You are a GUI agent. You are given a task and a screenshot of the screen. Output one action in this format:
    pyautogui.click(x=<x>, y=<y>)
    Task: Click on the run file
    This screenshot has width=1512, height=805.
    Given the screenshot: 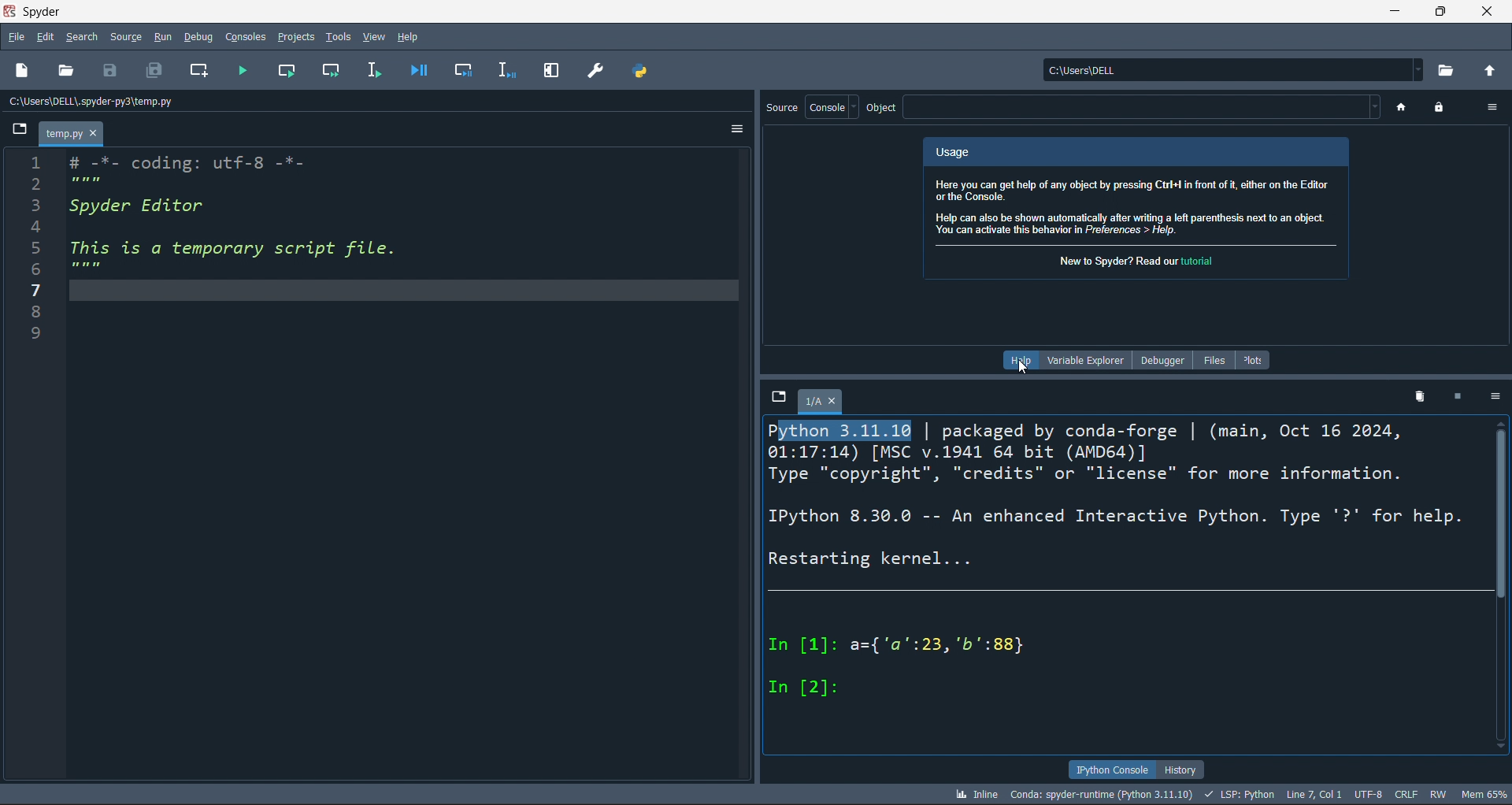 What is the action you would take?
    pyautogui.click(x=246, y=72)
    